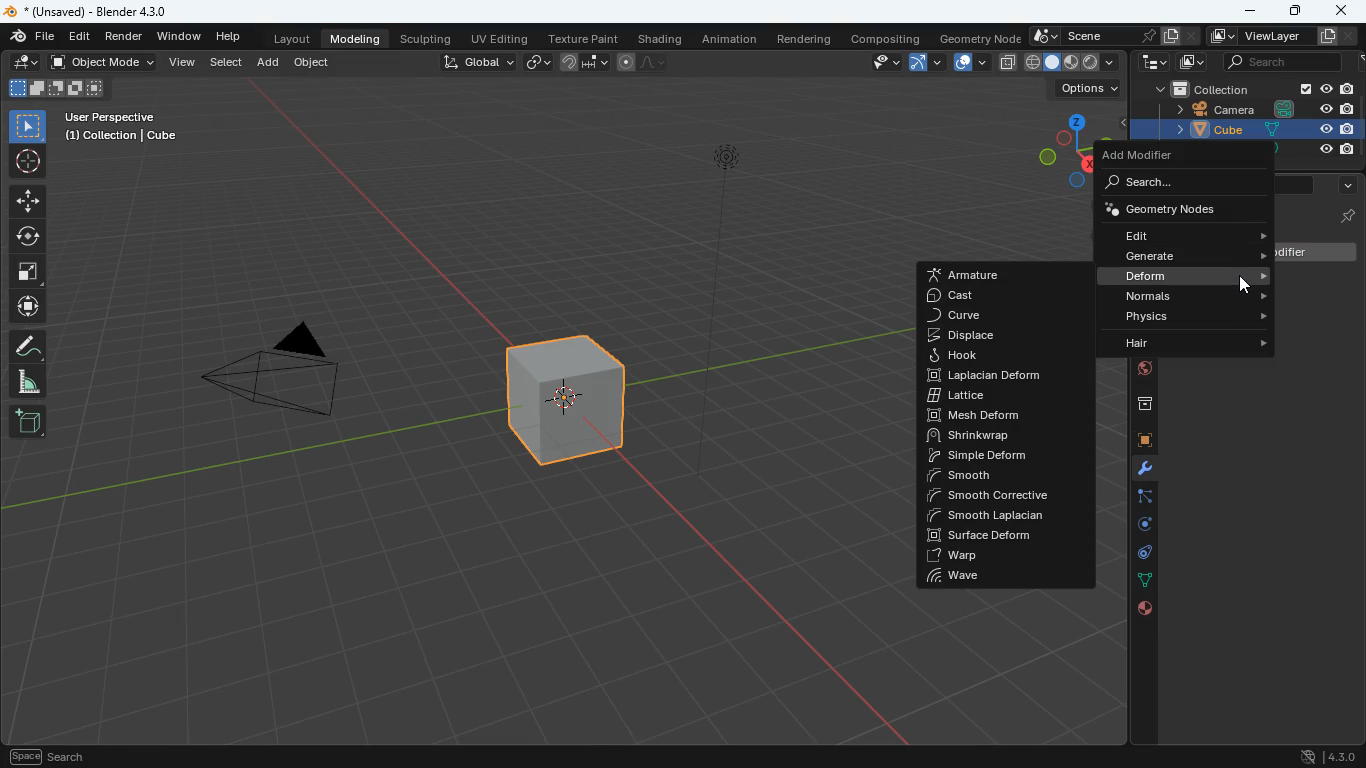  Describe the element at coordinates (1141, 472) in the screenshot. I see `modifiers` at that location.